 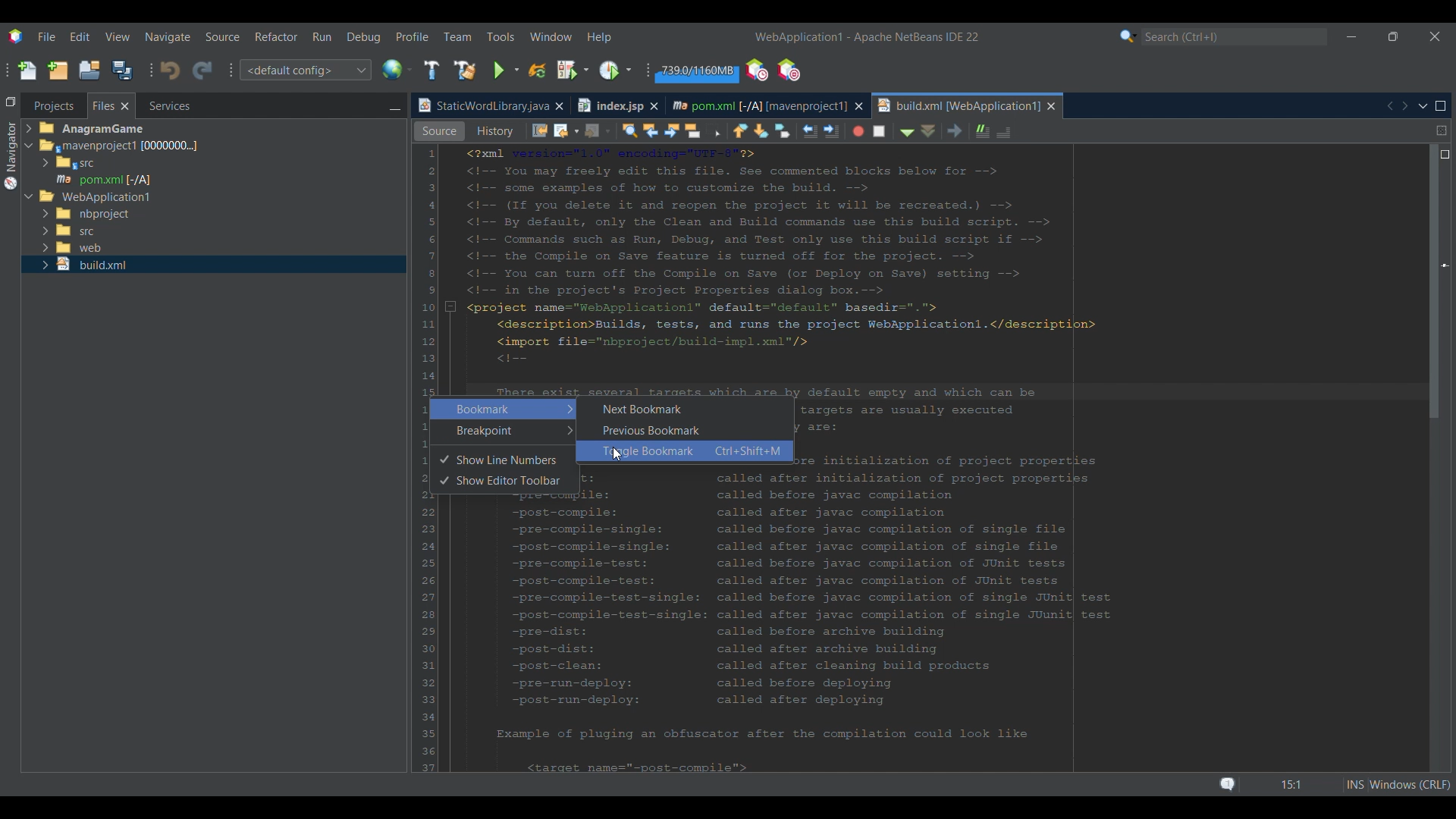 I want to click on Debug main project, so click(x=573, y=70).